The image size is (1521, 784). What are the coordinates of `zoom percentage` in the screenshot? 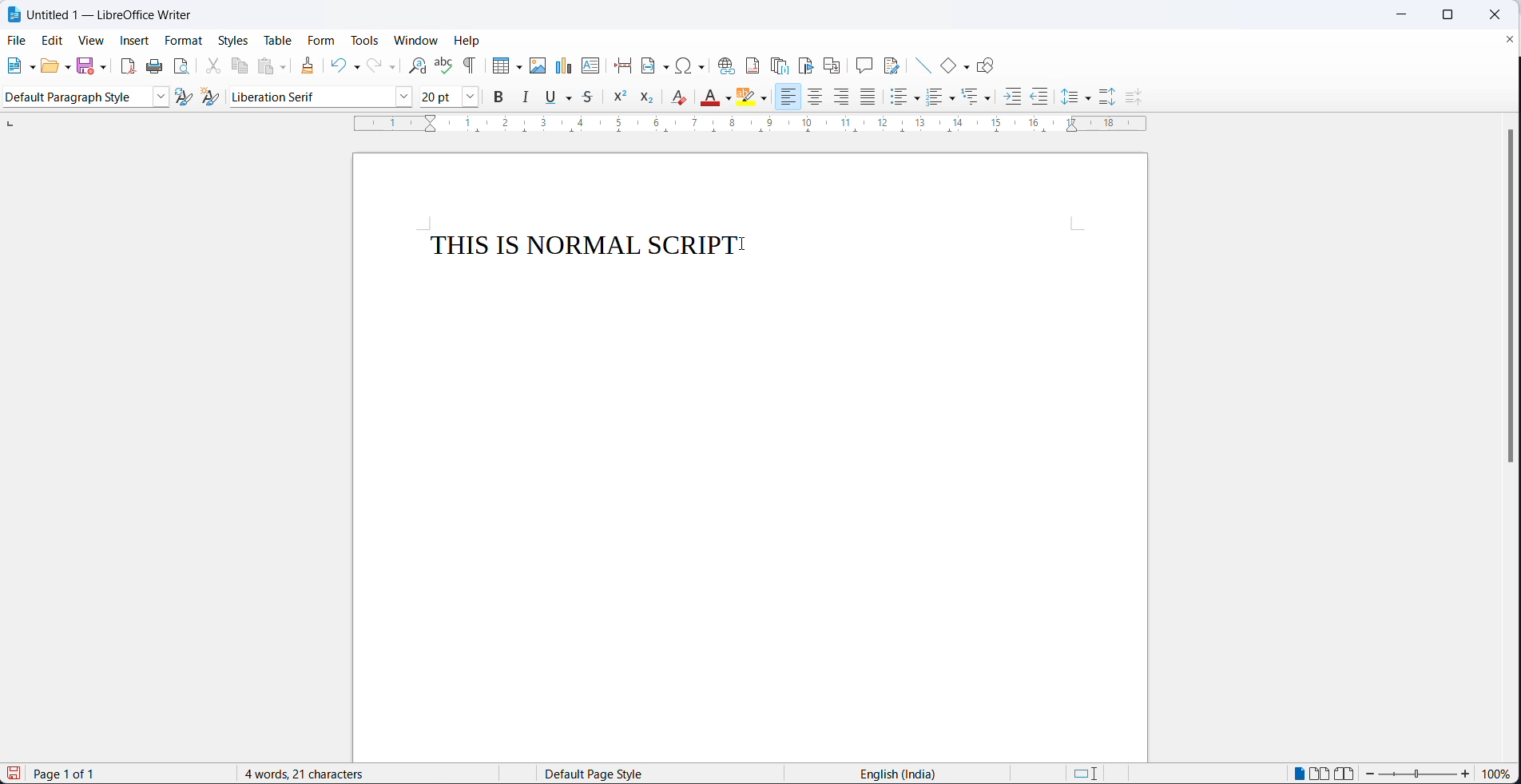 It's located at (1497, 775).